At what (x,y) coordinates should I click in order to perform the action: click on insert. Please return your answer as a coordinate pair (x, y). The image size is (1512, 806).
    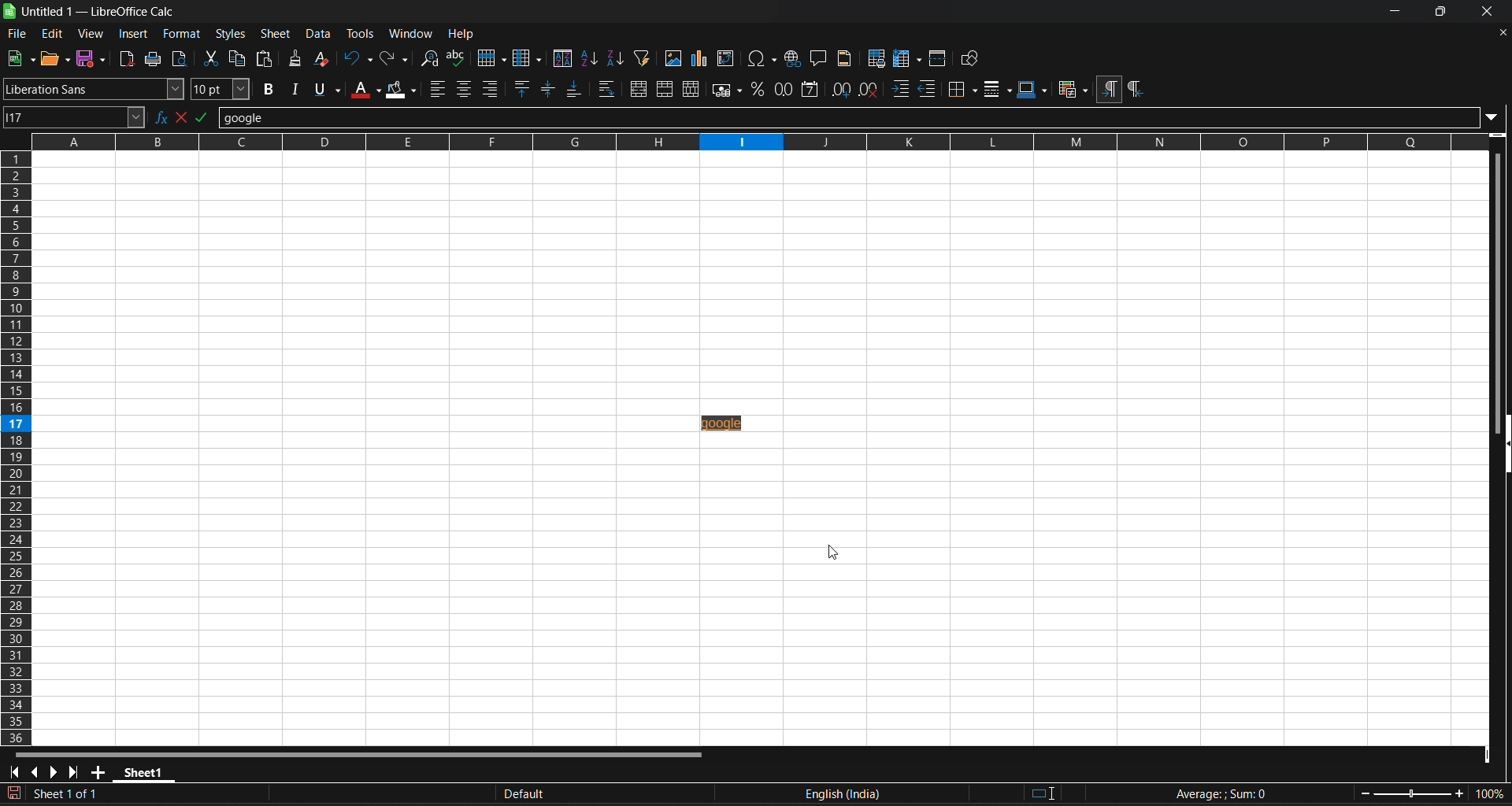
    Looking at the image, I should click on (135, 34).